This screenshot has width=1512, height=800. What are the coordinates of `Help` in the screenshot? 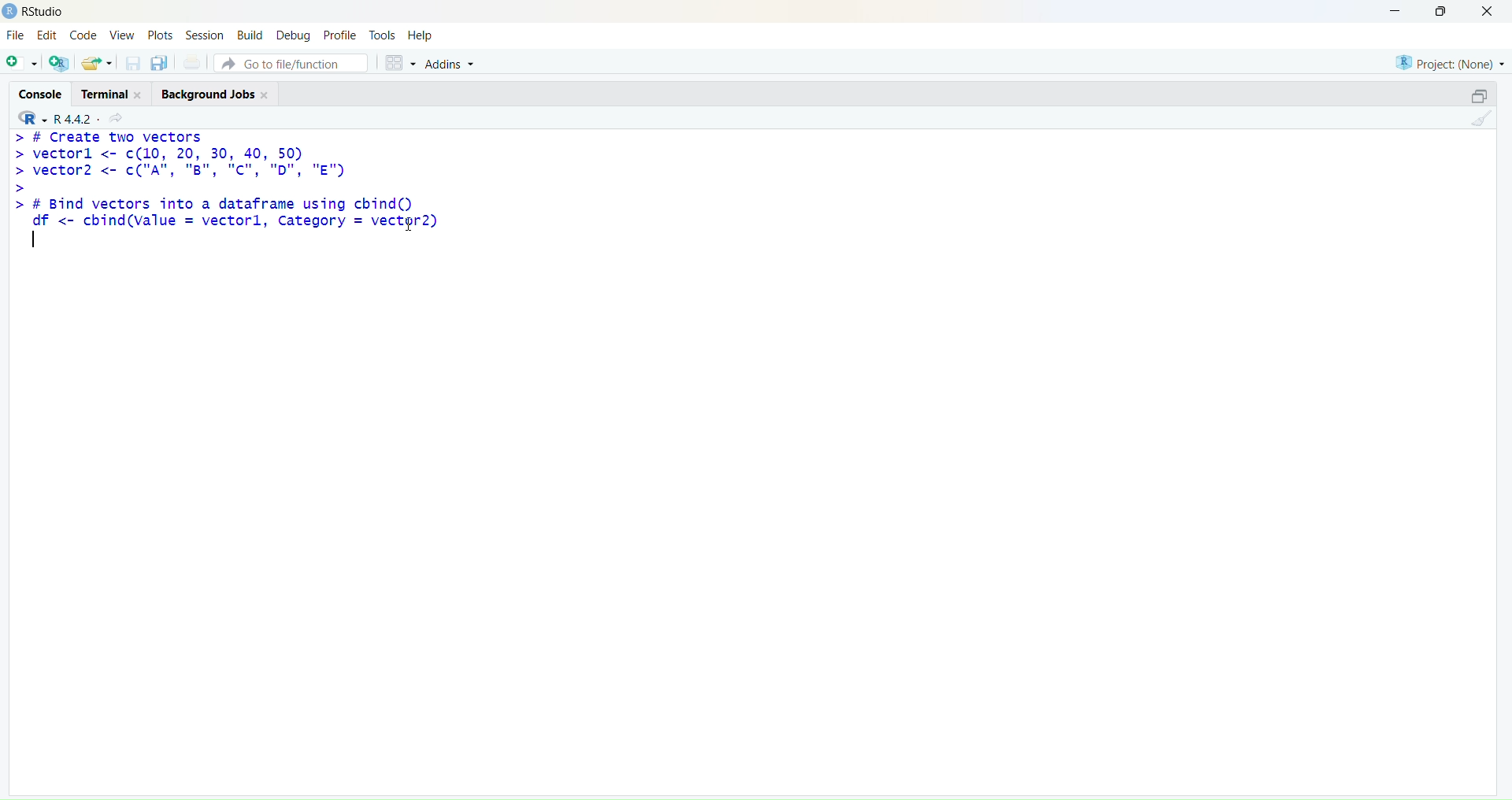 It's located at (421, 35).